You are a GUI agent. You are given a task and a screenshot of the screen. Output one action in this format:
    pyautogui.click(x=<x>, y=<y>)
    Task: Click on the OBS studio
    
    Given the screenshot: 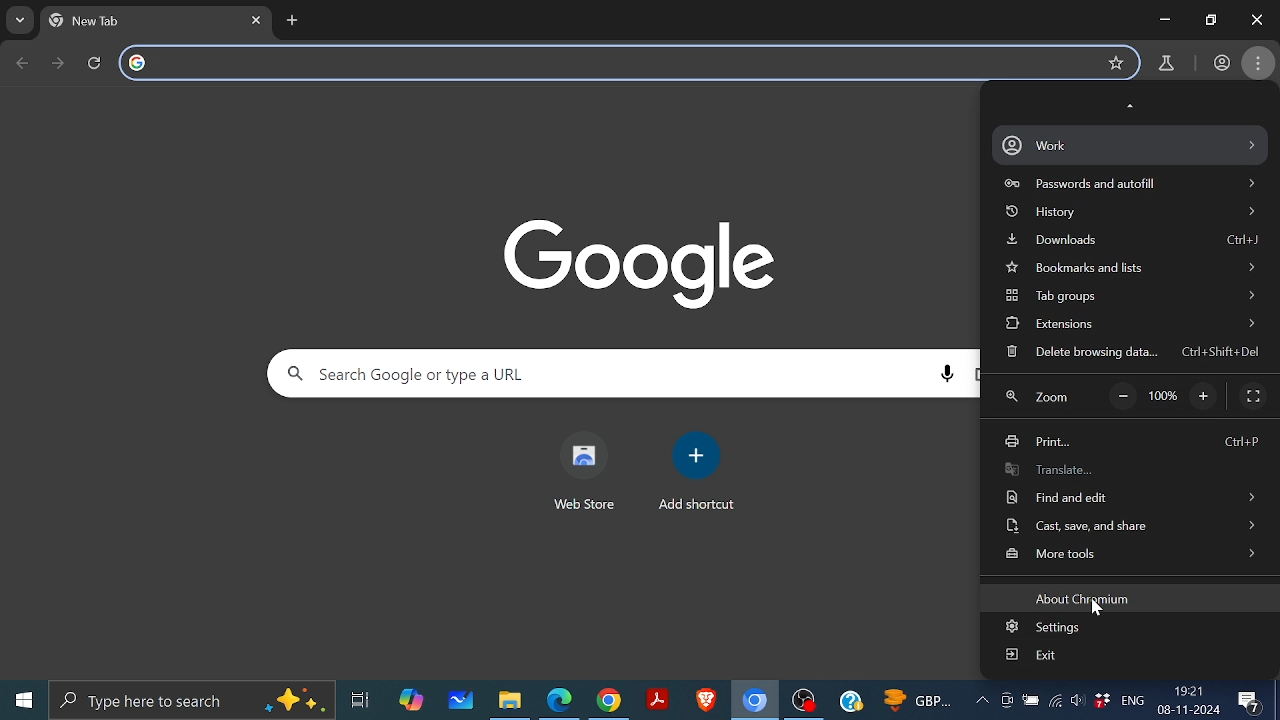 What is the action you would take?
    pyautogui.click(x=807, y=699)
    